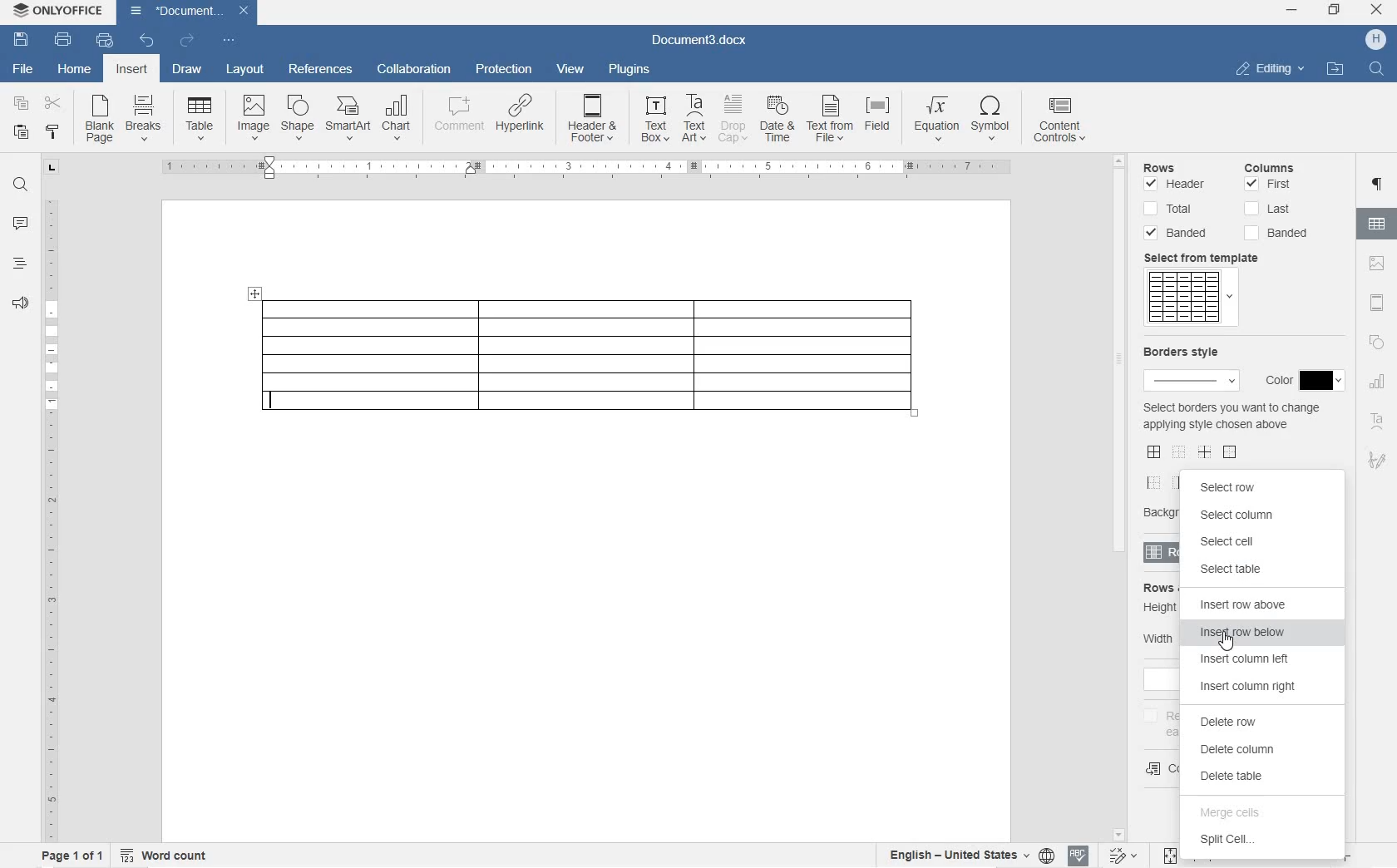 This screenshot has width=1397, height=868. Describe the element at coordinates (1230, 490) in the screenshot. I see `select row` at that location.